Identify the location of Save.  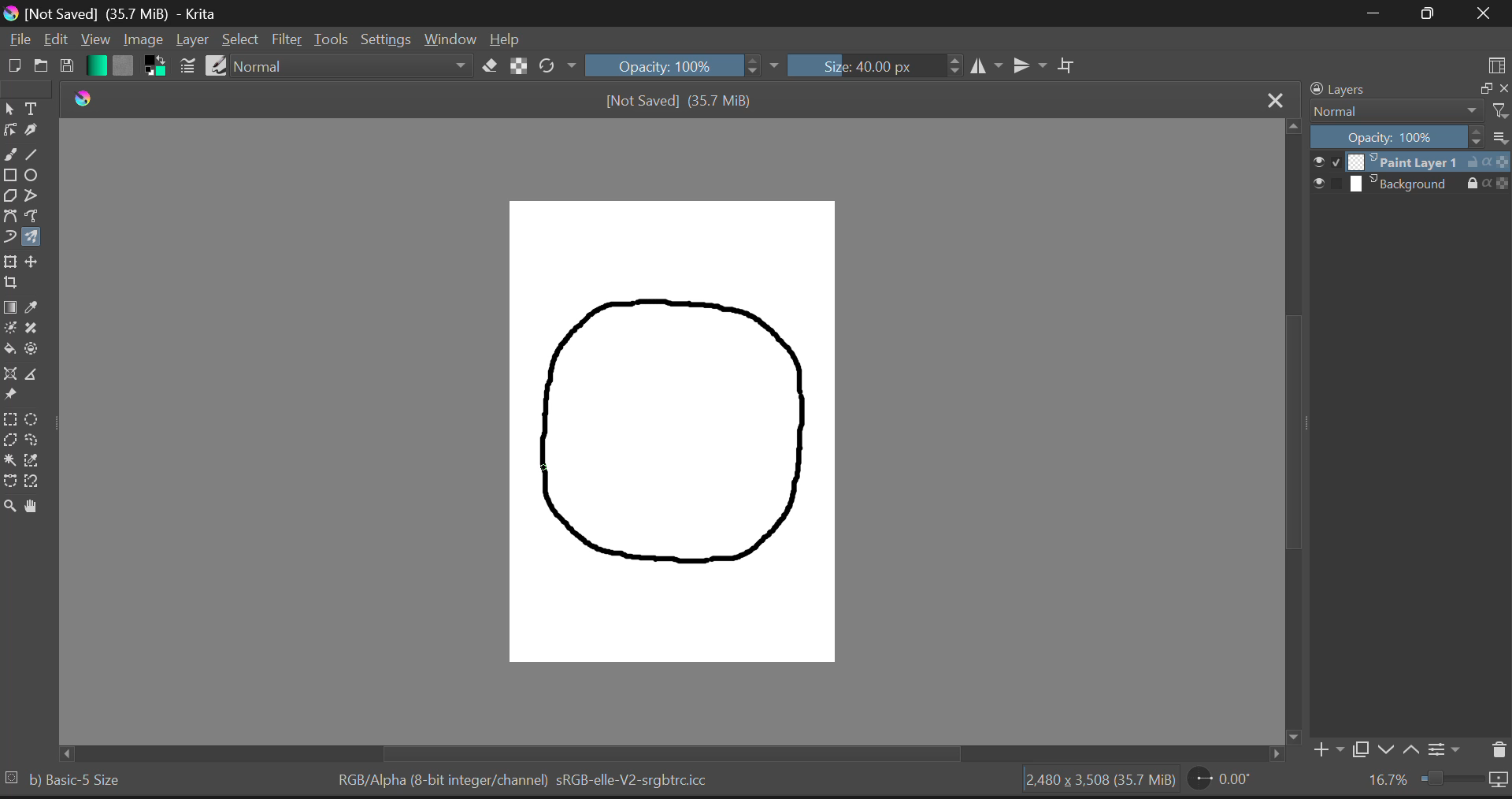
(66, 67).